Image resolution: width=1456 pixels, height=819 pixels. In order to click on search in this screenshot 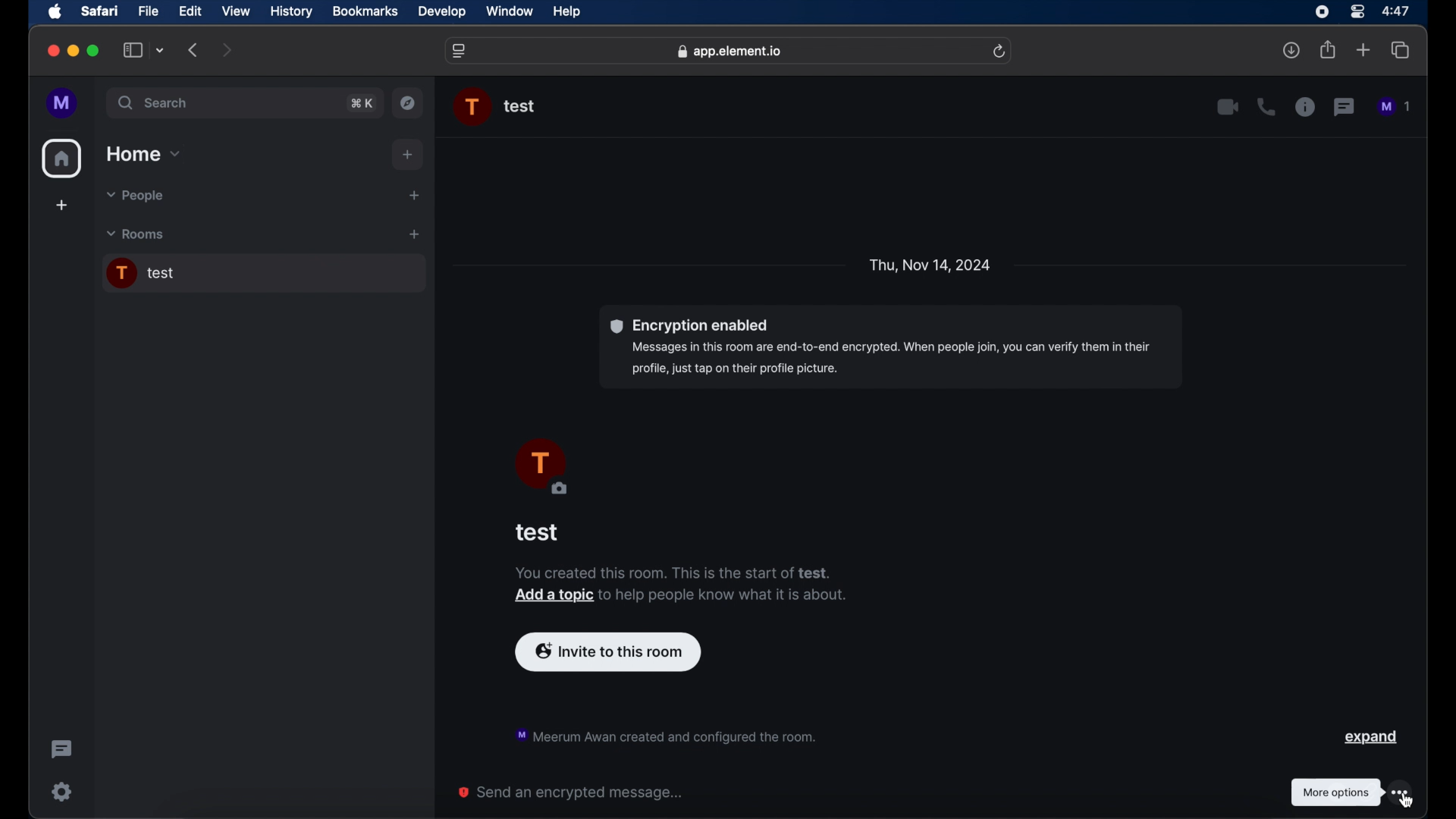, I will do `click(155, 103)`.